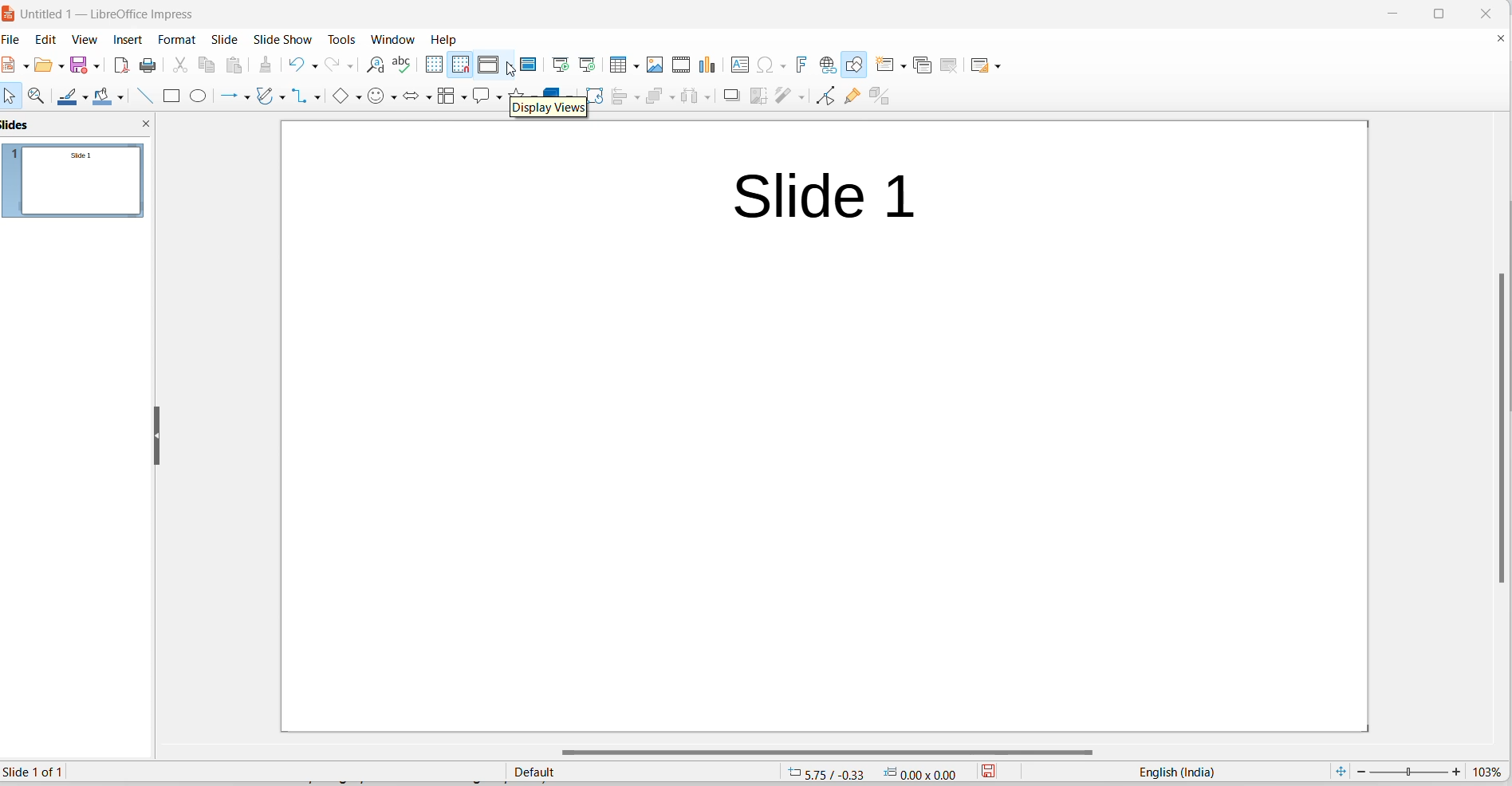  What do you see at coordinates (460, 101) in the screenshot?
I see `flowchart options` at bounding box center [460, 101].